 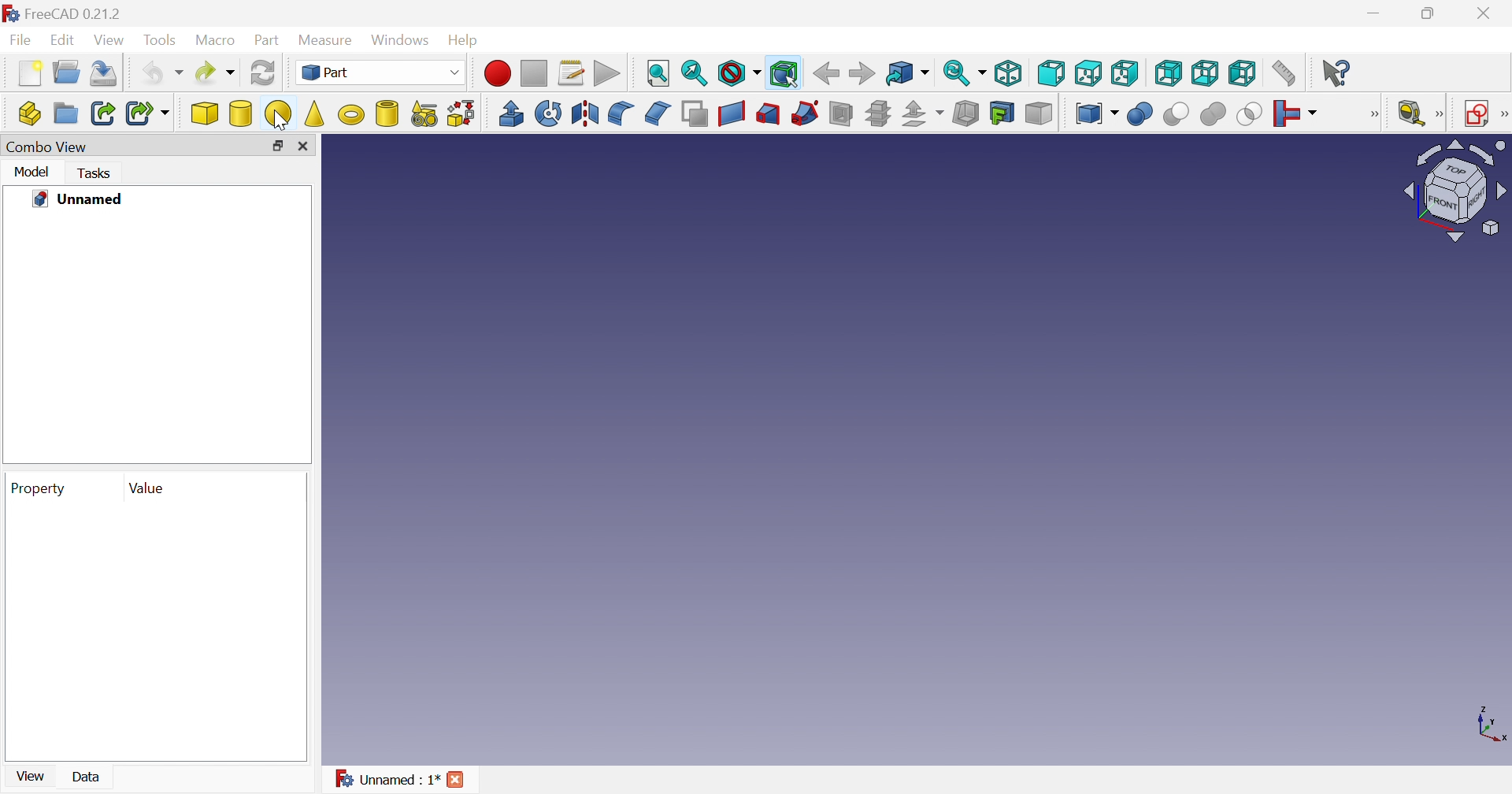 What do you see at coordinates (108, 39) in the screenshot?
I see `View` at bounding box center [108, 39].